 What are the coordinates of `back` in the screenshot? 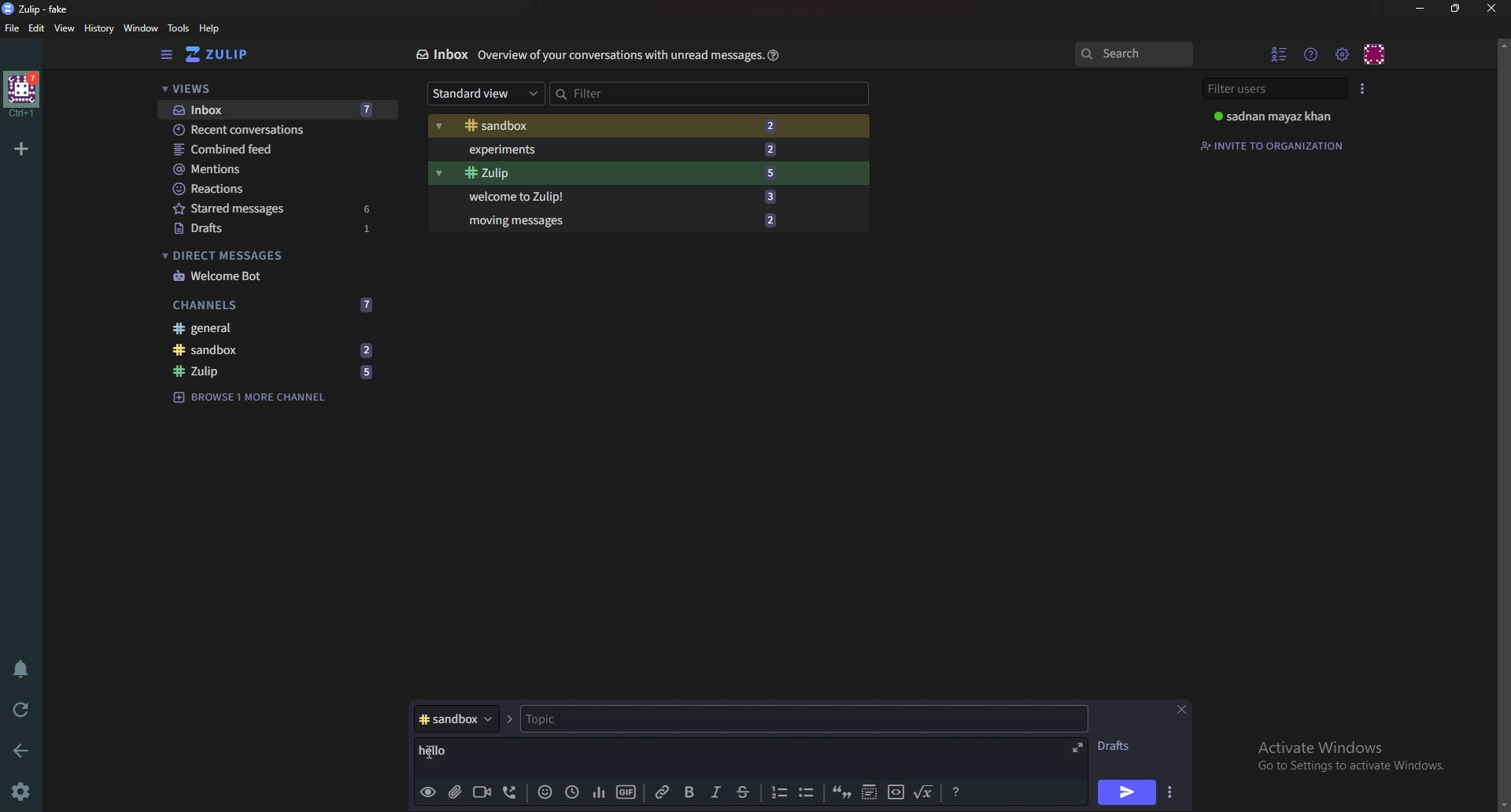 It's located at (20, 749).